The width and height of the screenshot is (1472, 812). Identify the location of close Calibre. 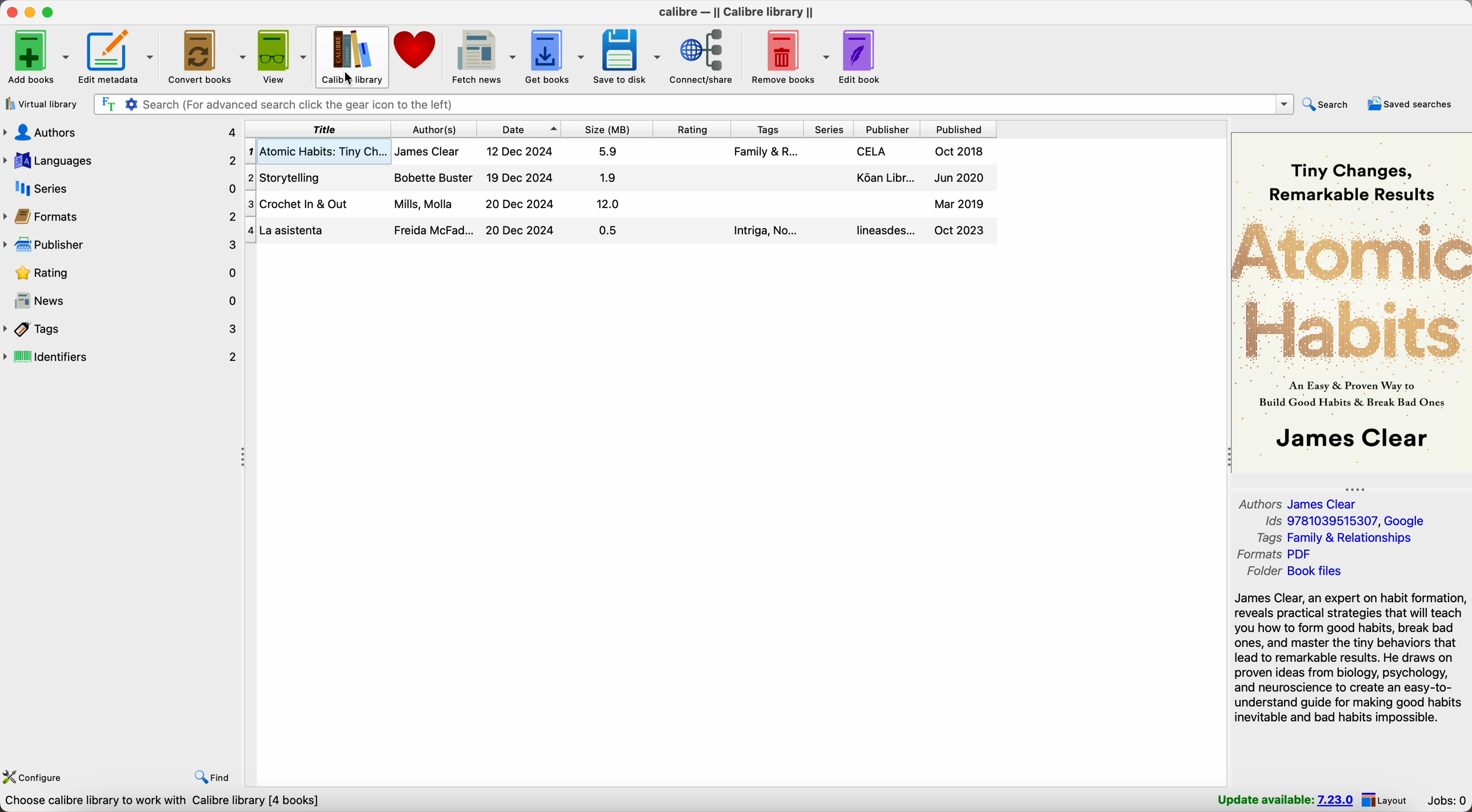
(10, 13).